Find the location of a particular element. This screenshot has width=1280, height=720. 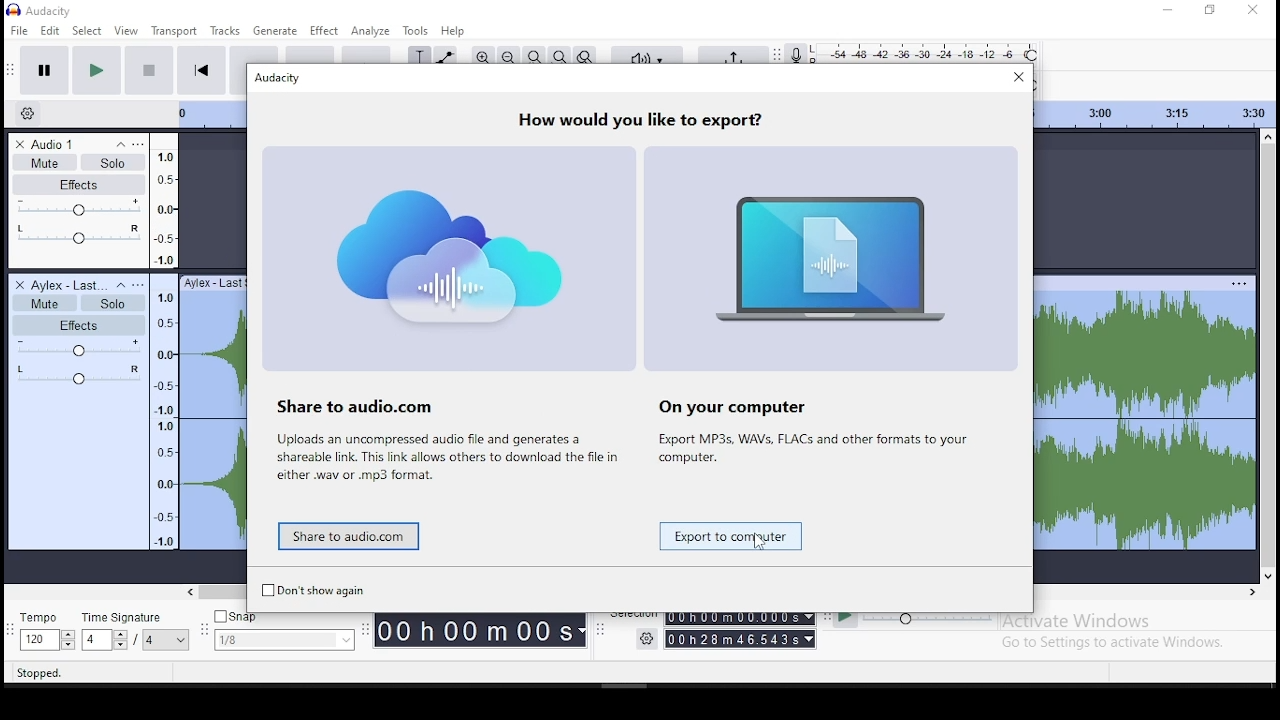

Selection is located at coordinates (634, 615).